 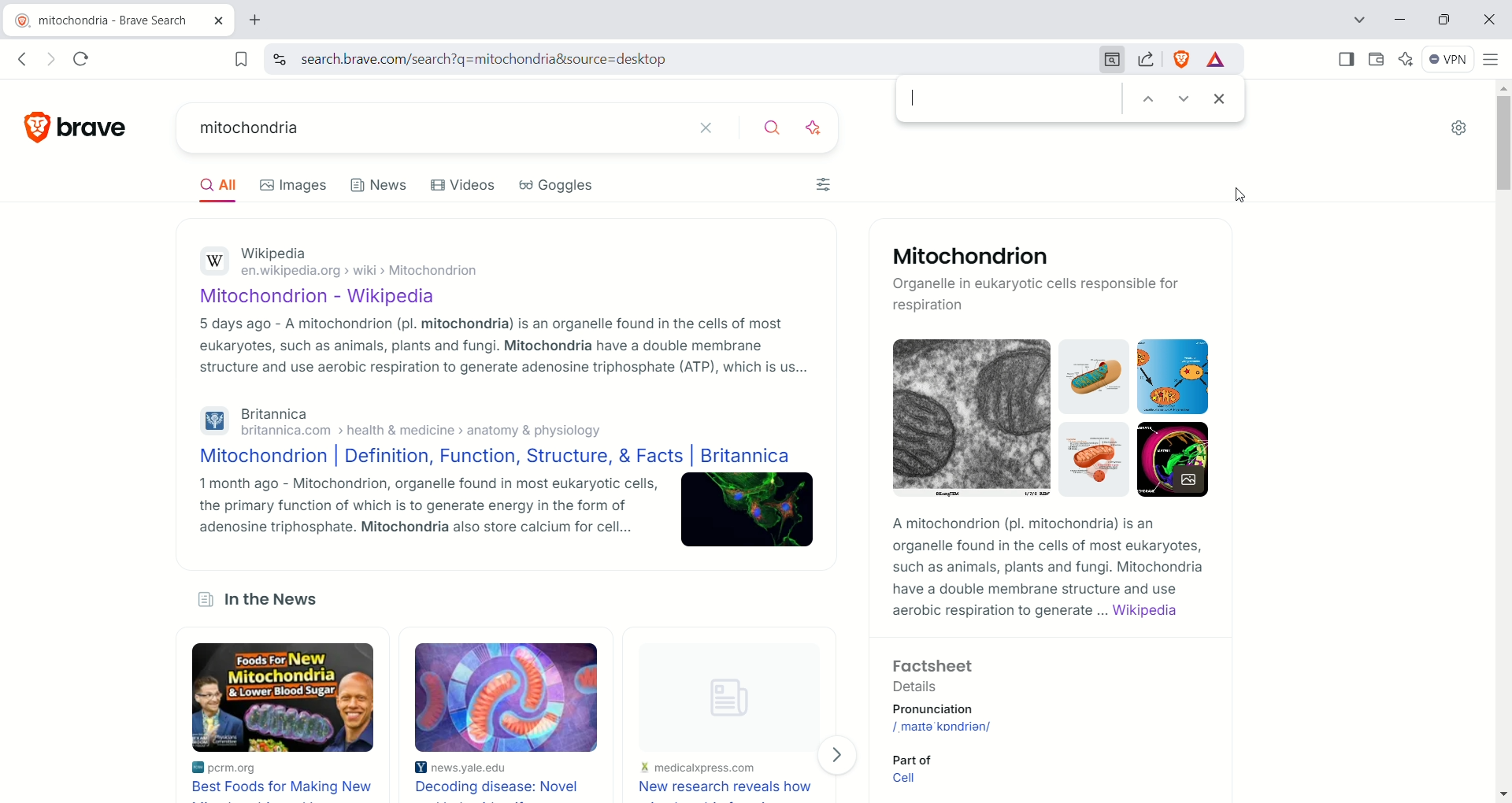 What do you see at coordinates (724, 788) in the screenshot?
I see `New research reveals how` at bounding box center [724, 788].